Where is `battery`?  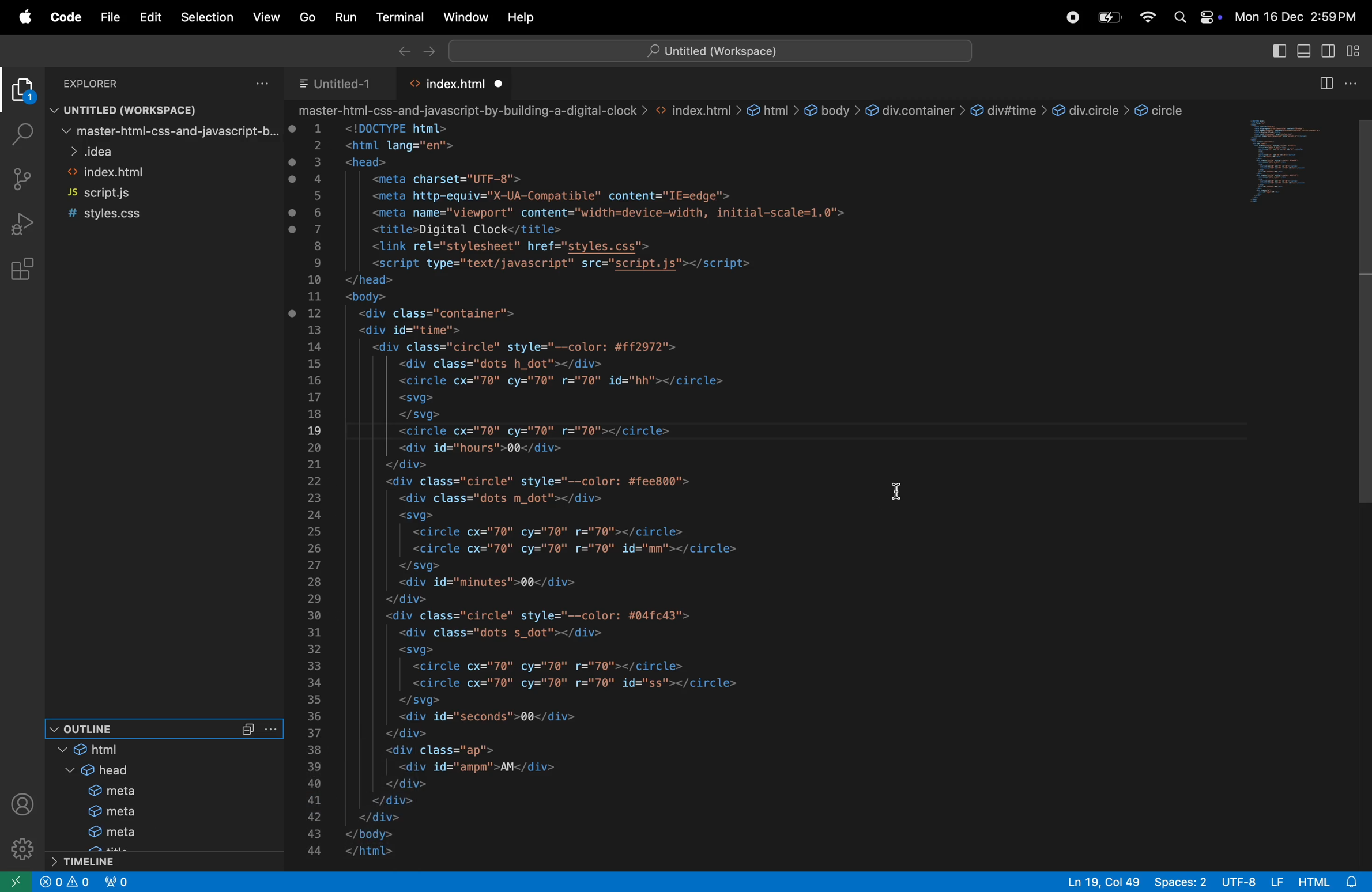 battery is located at coordinates (1107, 17).